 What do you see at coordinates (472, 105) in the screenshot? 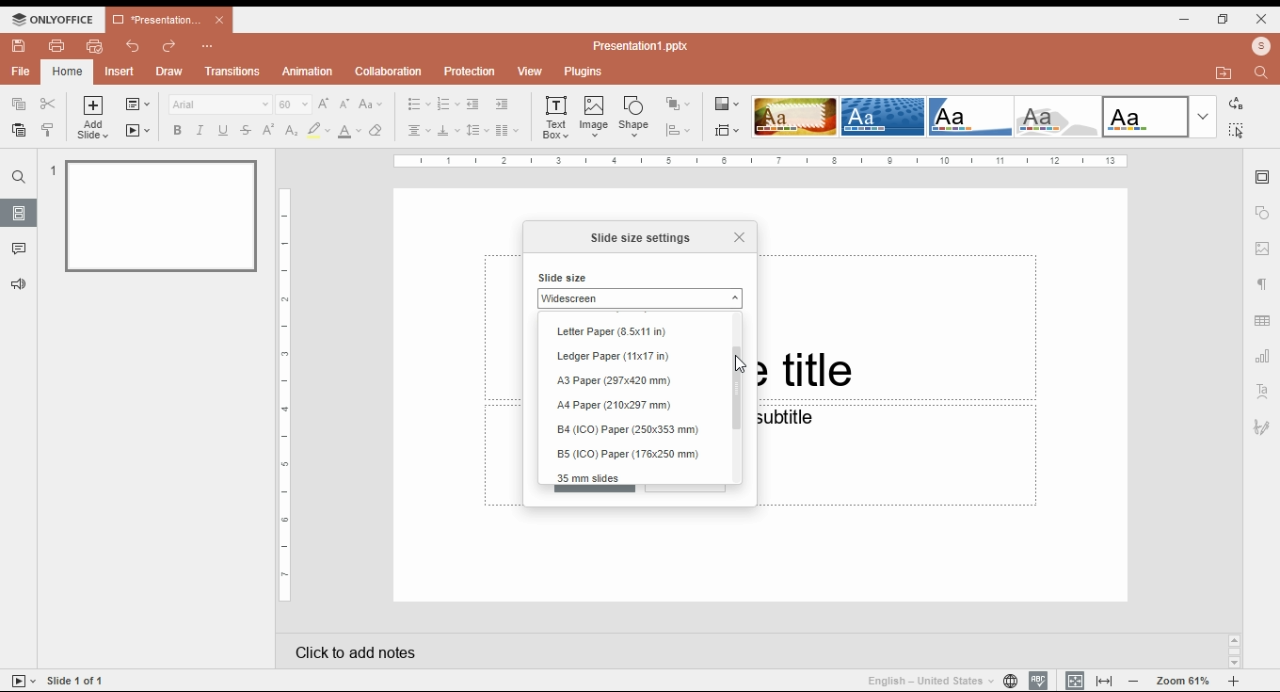
I see `decrease indent` at bounding box center [472, 105].